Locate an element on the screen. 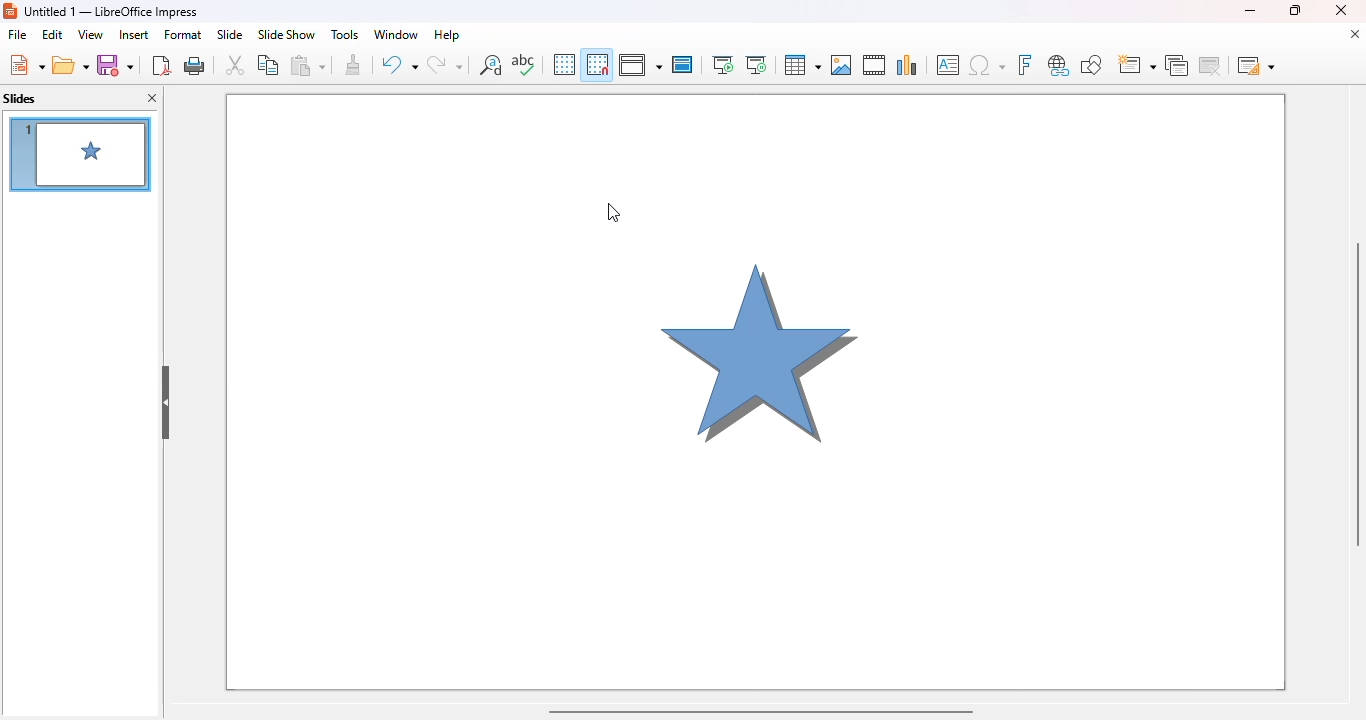  display grid is located at coordinates (564, 64).